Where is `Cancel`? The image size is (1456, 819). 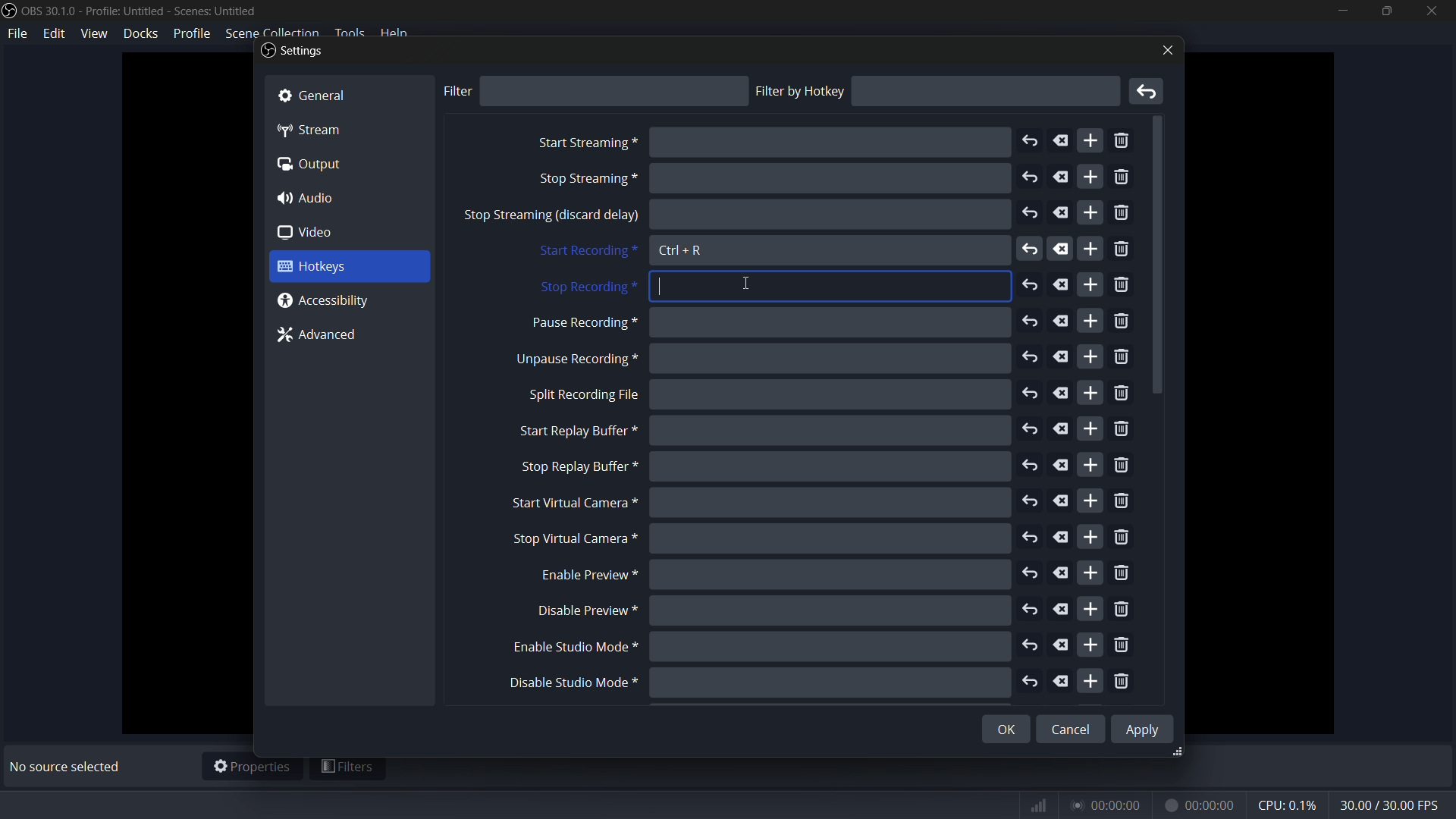 Cancel is located at coordinates (1072, 724).